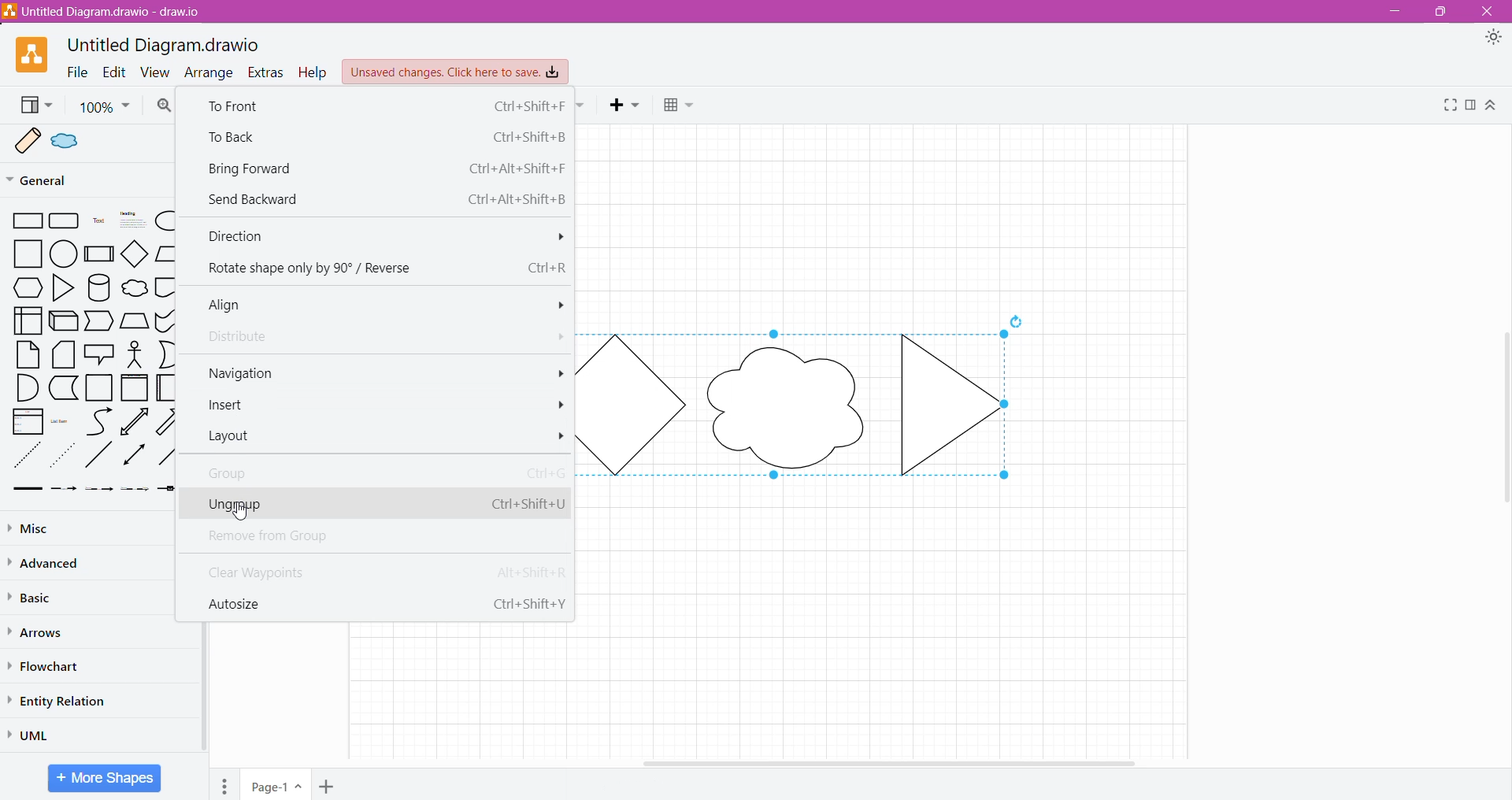 This screenshot has height=800, width=1512. Describe the element at coordinates (628, 107) in the screenshot. I see `Insert` at that location.